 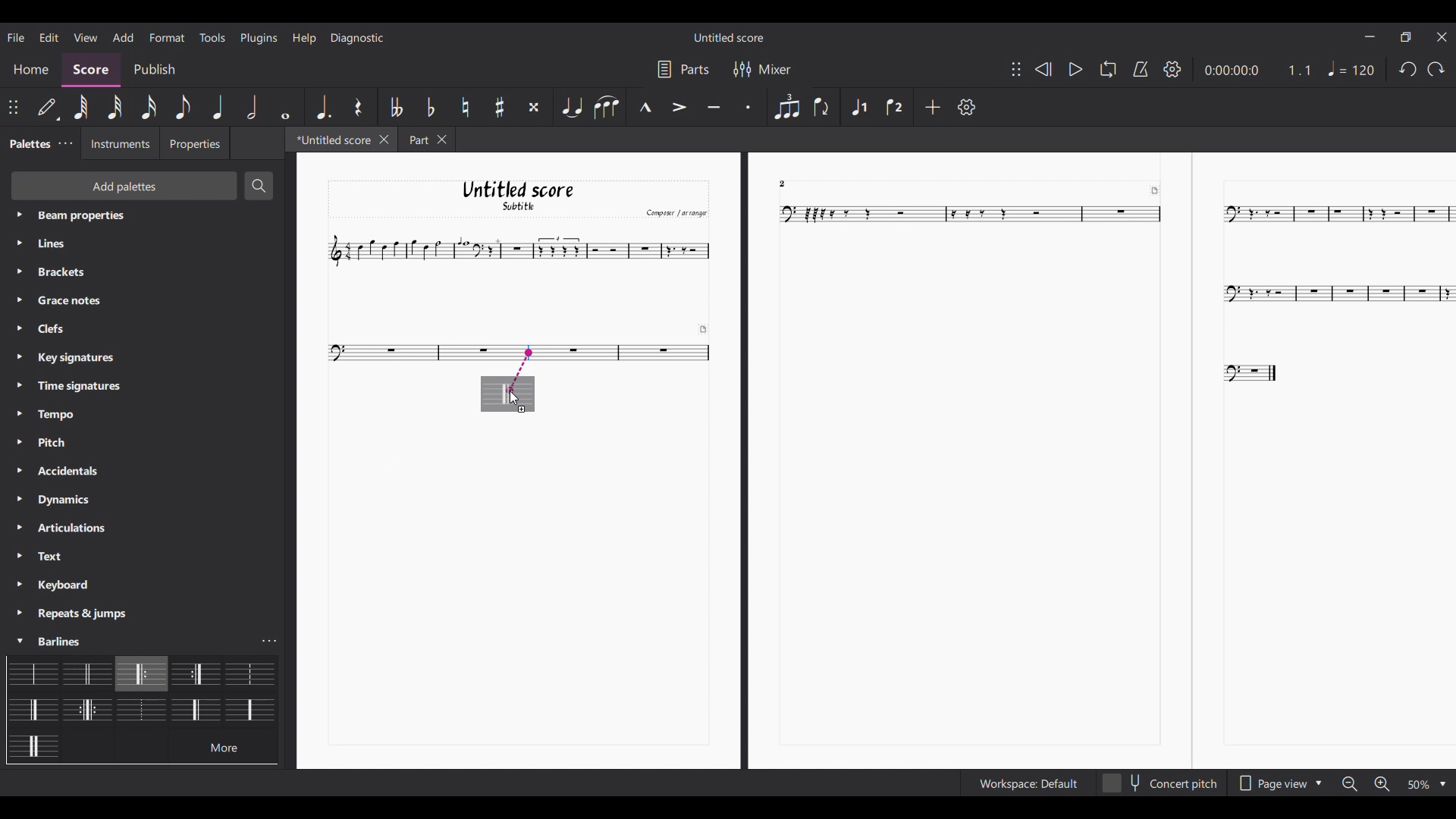 What do you see at coordinates (166, 37) in the screenshot?
I see `Format menu` at bounding box center [166, 37].